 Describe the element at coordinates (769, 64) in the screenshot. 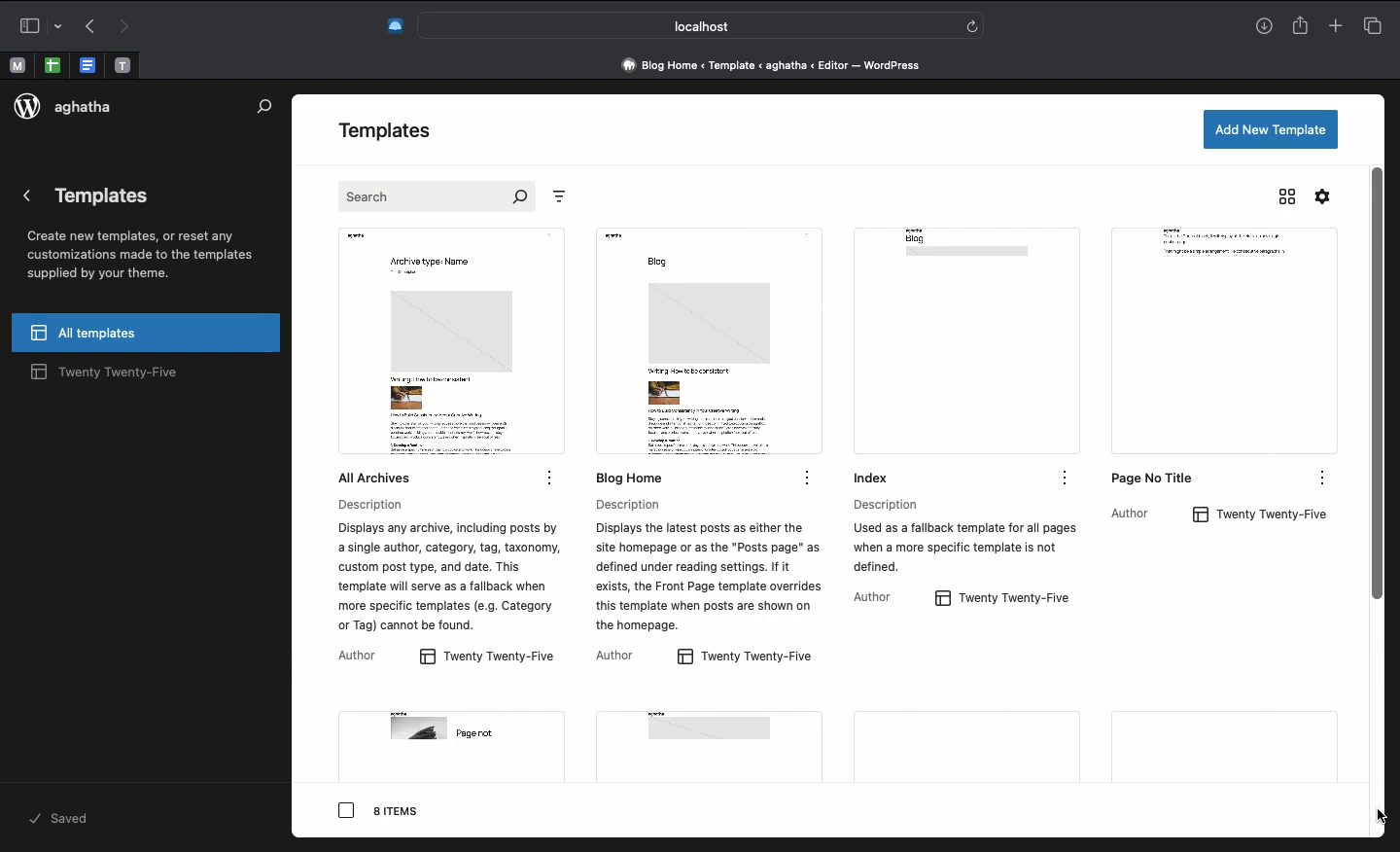

I see `Address` at that location.